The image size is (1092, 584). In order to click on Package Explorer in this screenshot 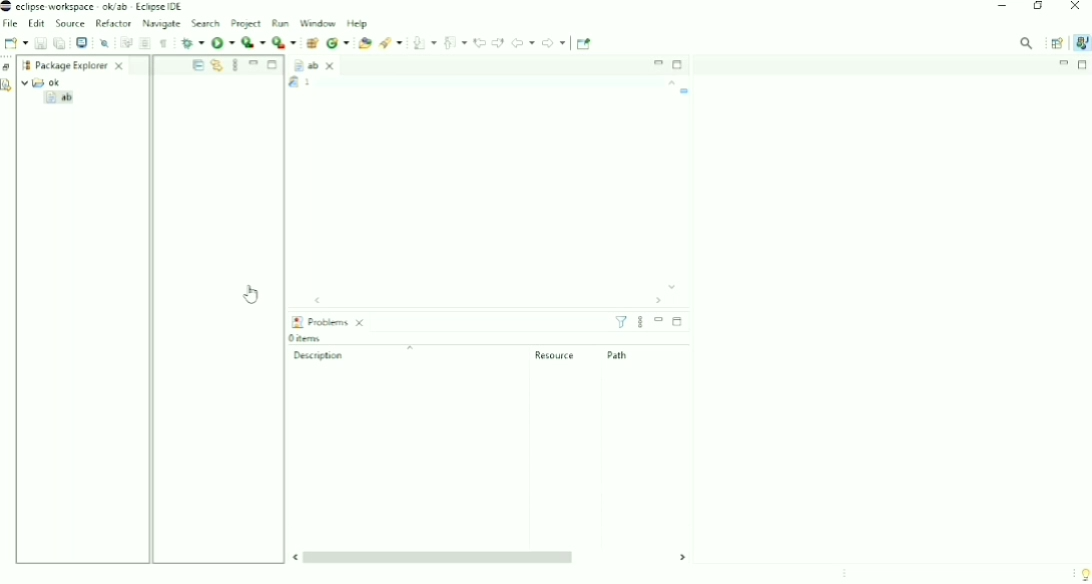, I will do `click(80, 65)`.